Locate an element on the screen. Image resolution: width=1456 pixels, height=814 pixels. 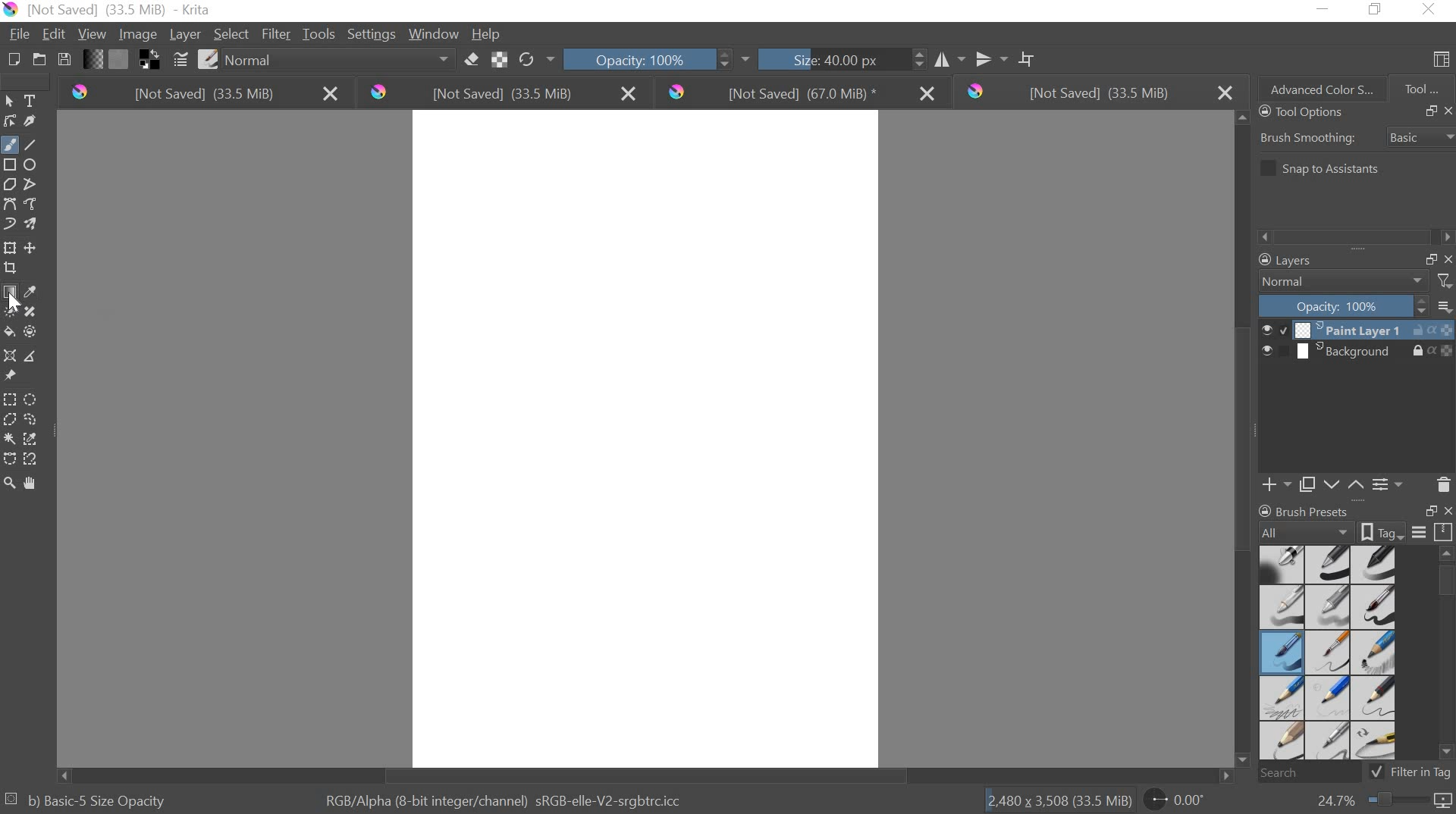
FILE is located at coordinates (18, 34).